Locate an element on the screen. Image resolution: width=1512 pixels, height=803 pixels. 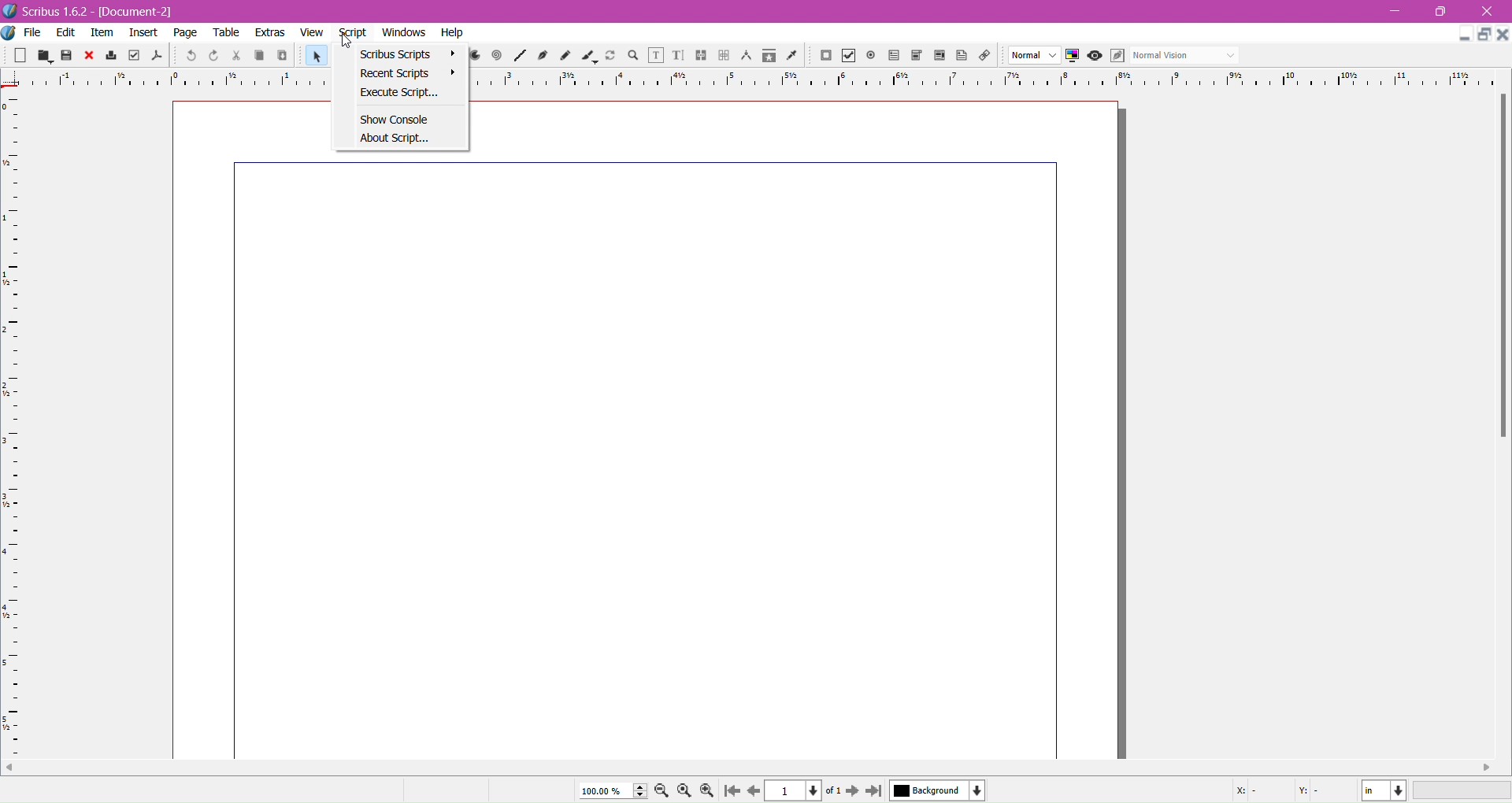
Application Name, Version - Document Title is located at coordinates (106, 10).